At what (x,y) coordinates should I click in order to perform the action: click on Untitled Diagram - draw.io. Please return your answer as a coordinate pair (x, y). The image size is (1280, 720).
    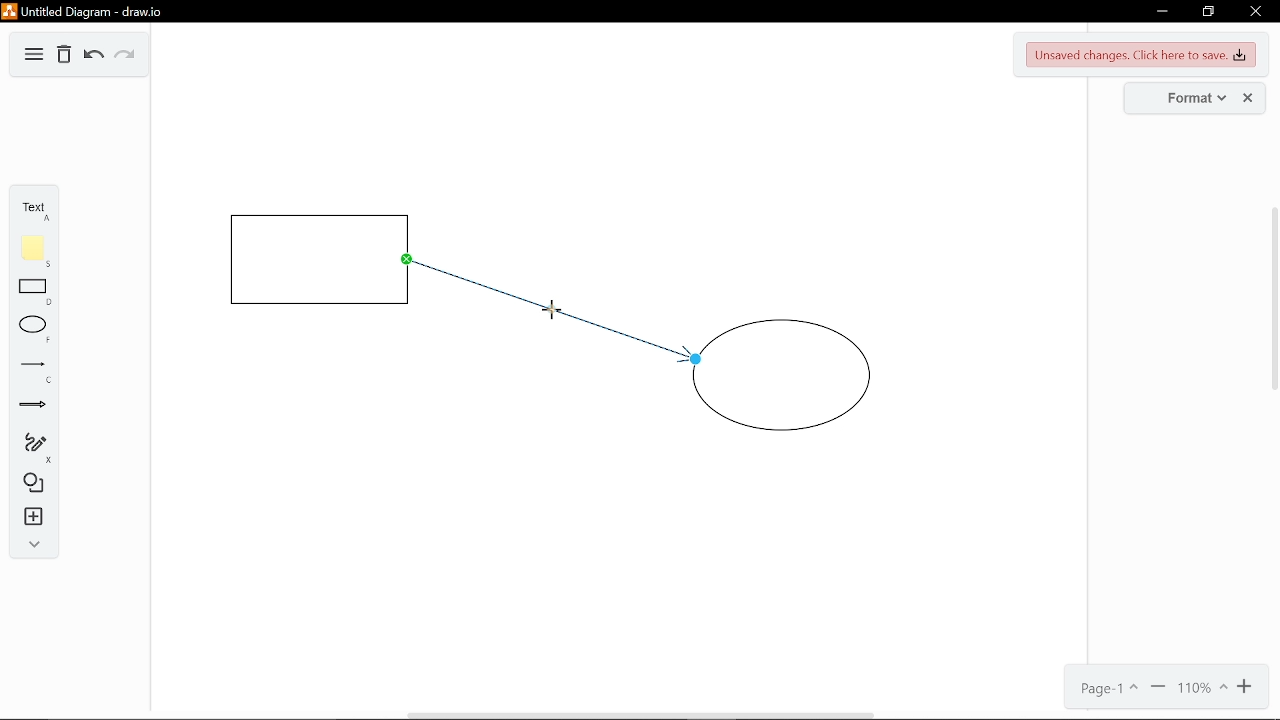
    Looking at the image, I should click on (82, 10).